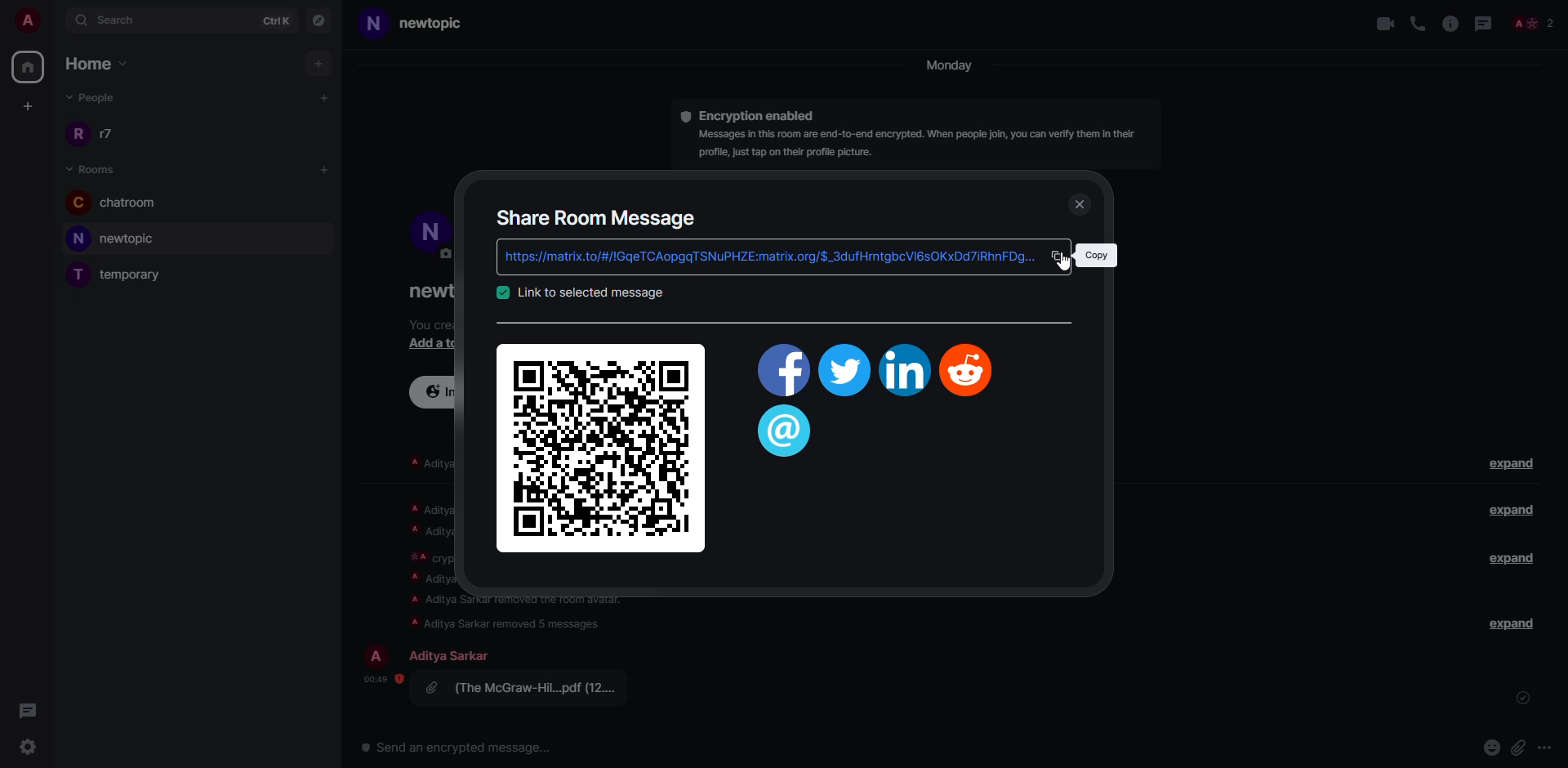  Describe the element at coordinates (599, 217) in the screenshot. I see `share message` at that location.